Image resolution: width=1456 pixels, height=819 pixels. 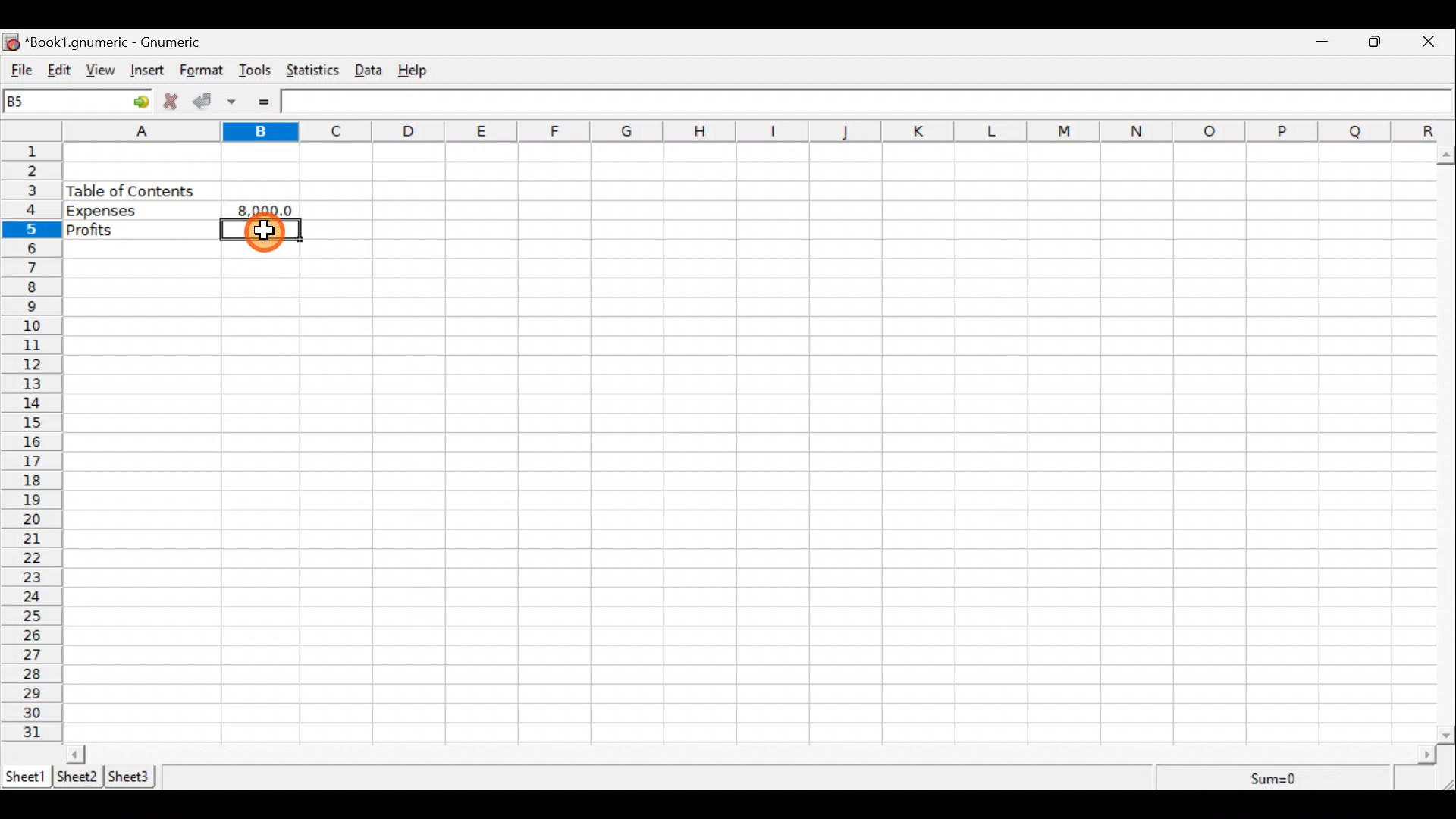 I want to click on Expenses, so click(x=140, y=209).